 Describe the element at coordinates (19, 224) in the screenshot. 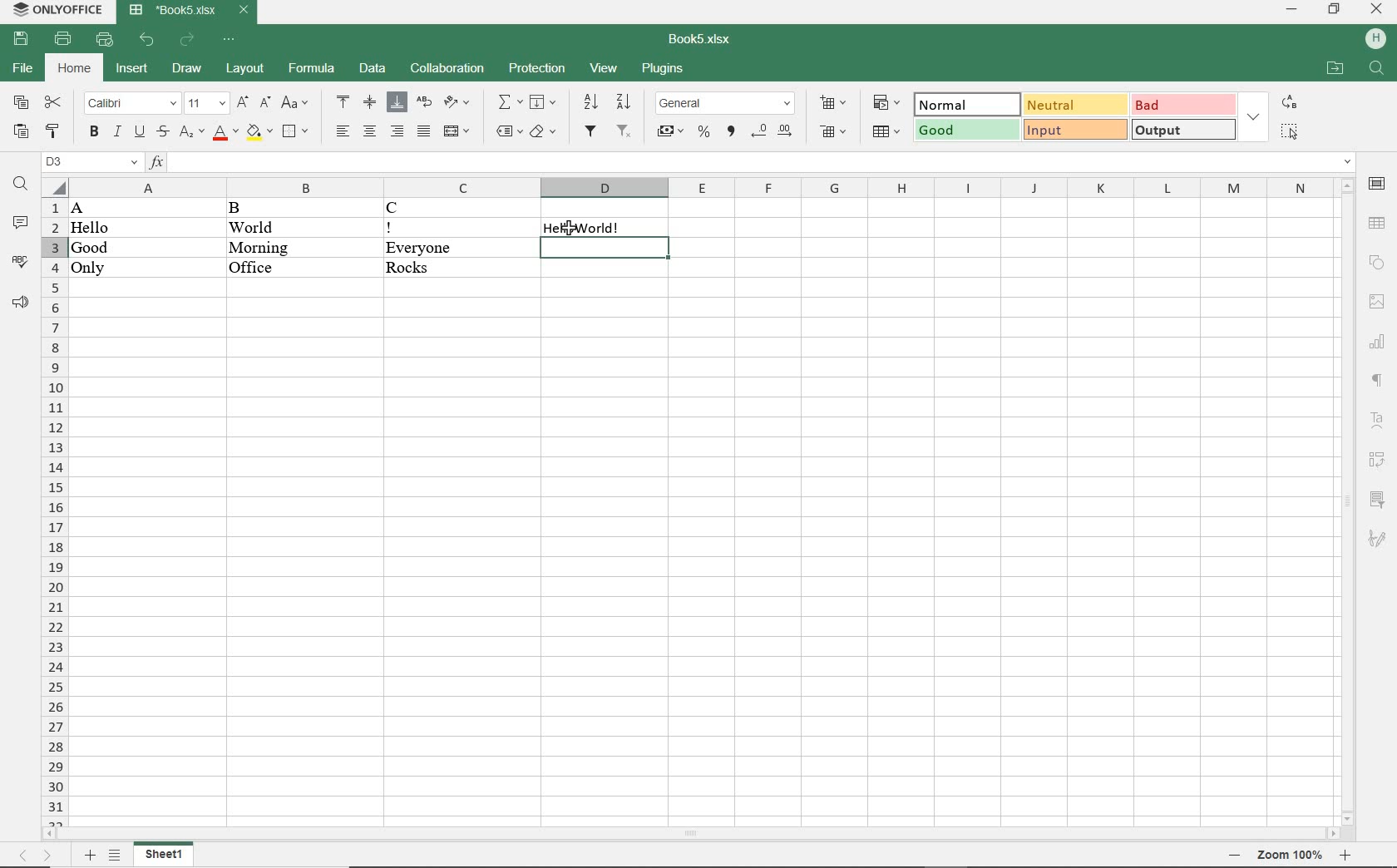

I see `COMMENTS` at that location.